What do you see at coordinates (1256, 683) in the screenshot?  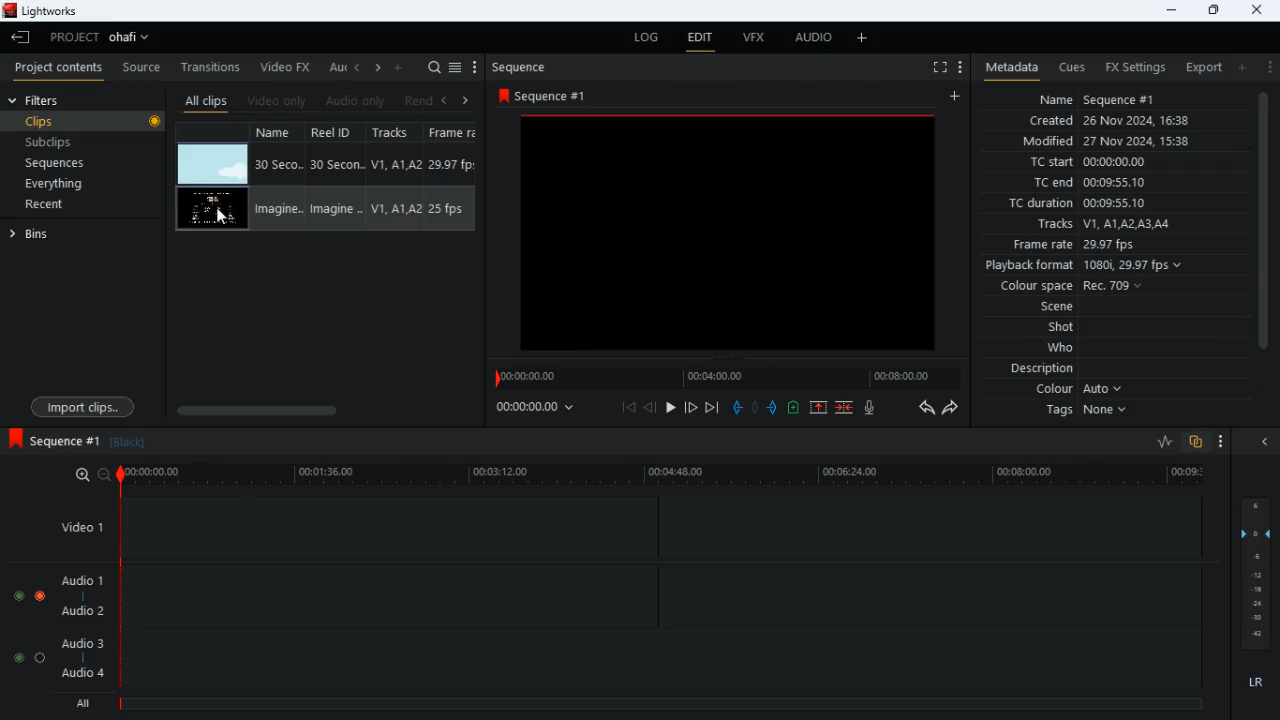 I see `lr` at bounding box center [1256, 683].